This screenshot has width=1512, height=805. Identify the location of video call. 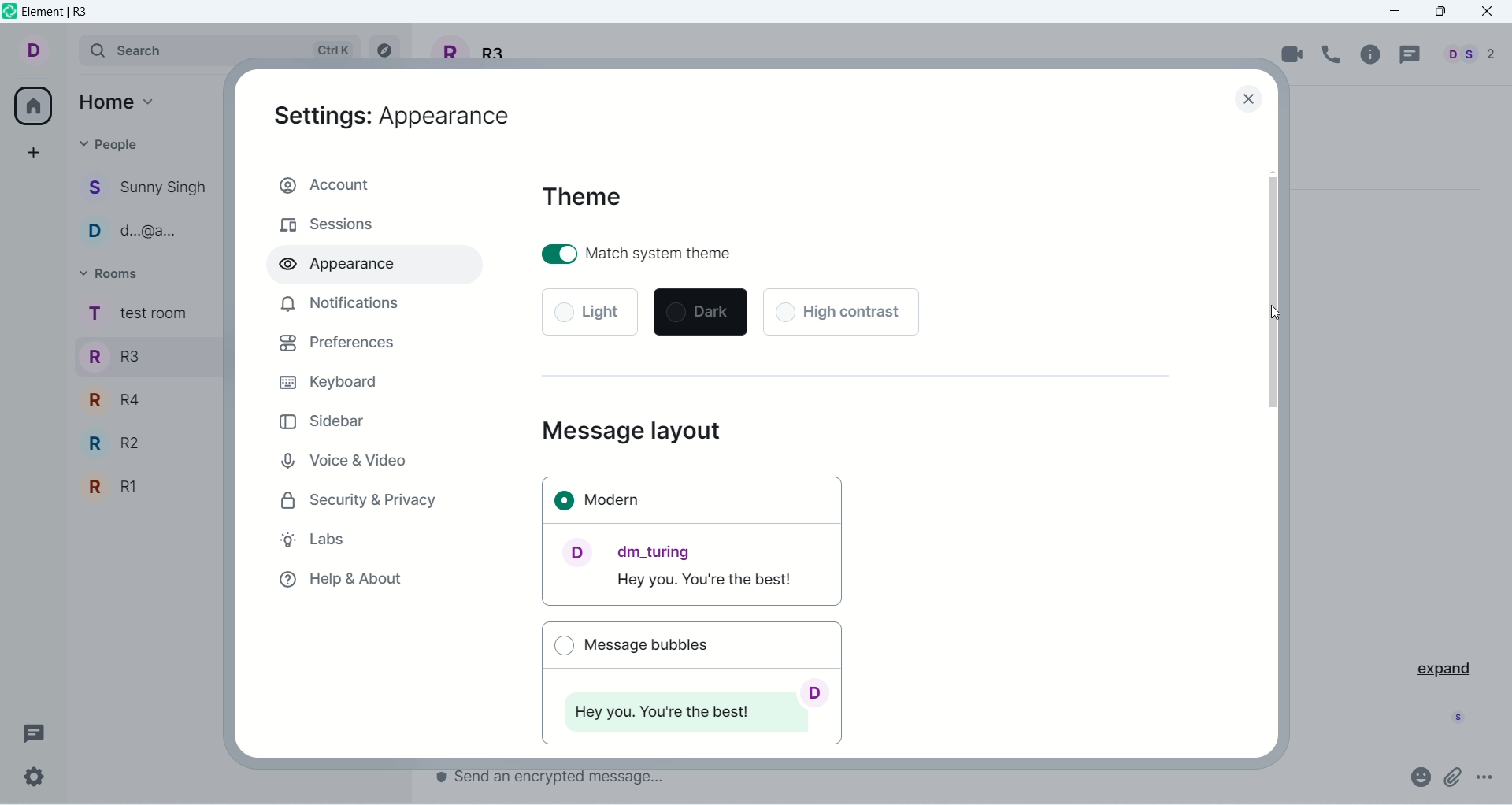
(1293, 54).